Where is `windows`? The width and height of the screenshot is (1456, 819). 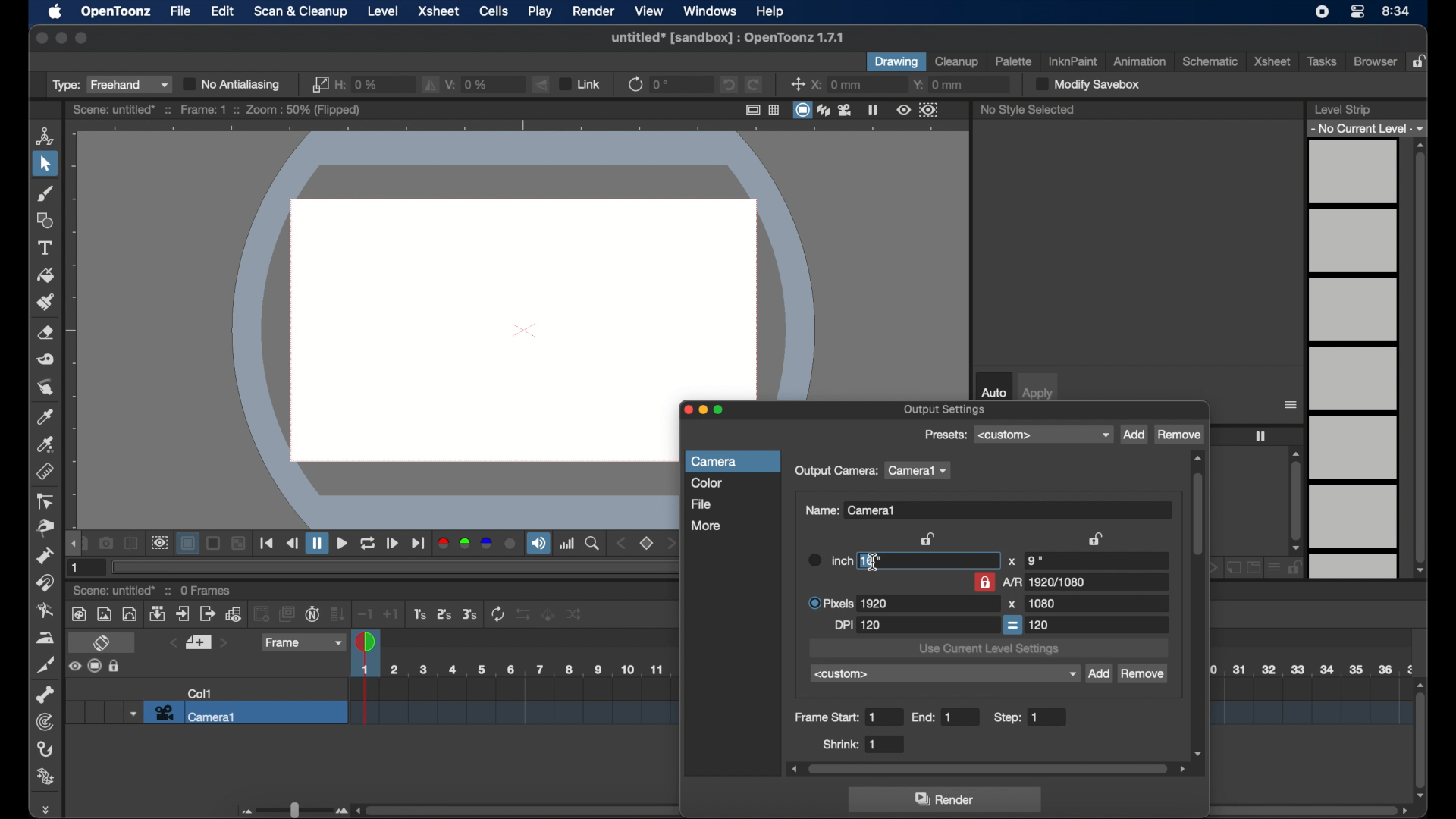
windows is located at coordinates (711, 11).